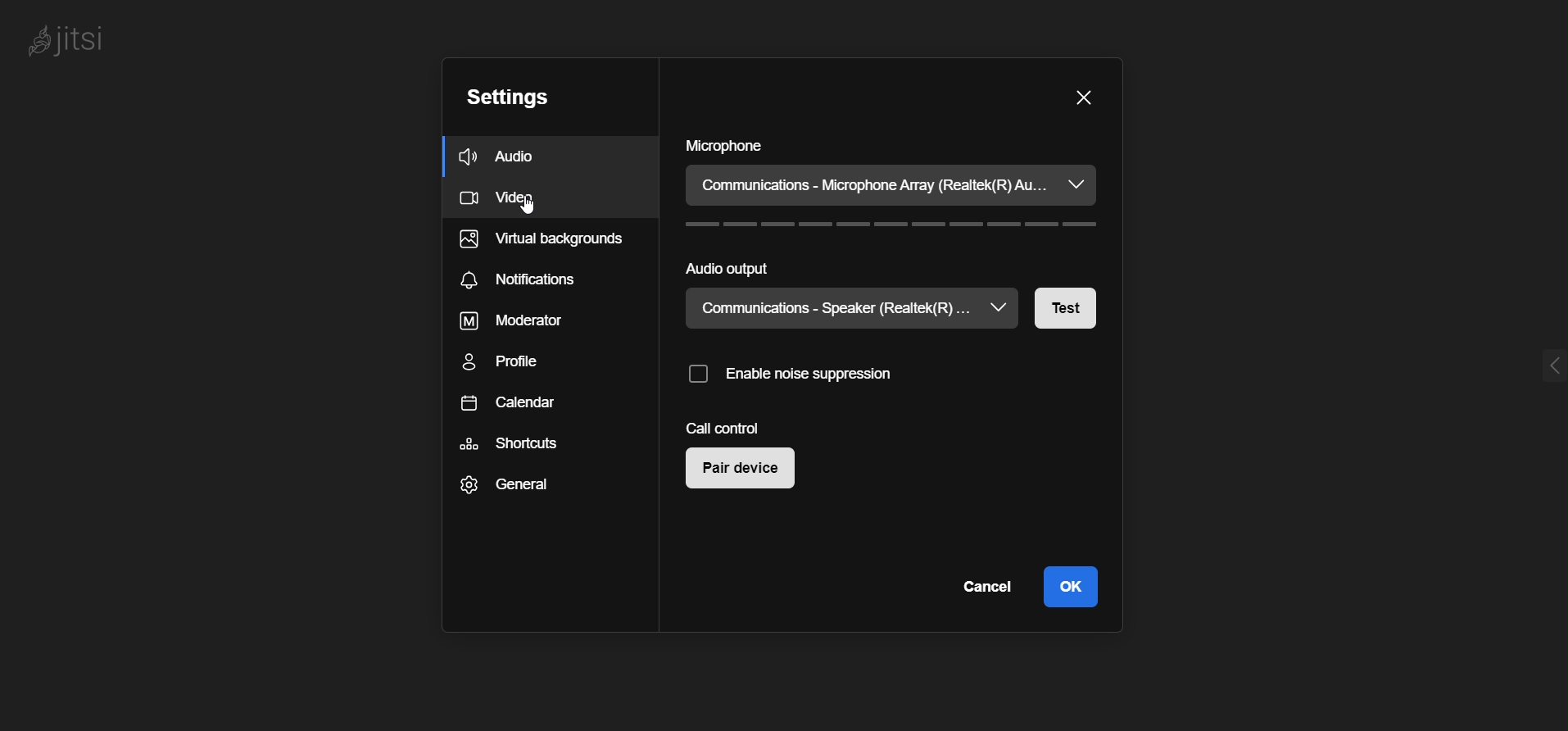  What do you see at coordinates (878, 185) in the screenshot?
I see `current microphone` at bounding box center [878, 185].